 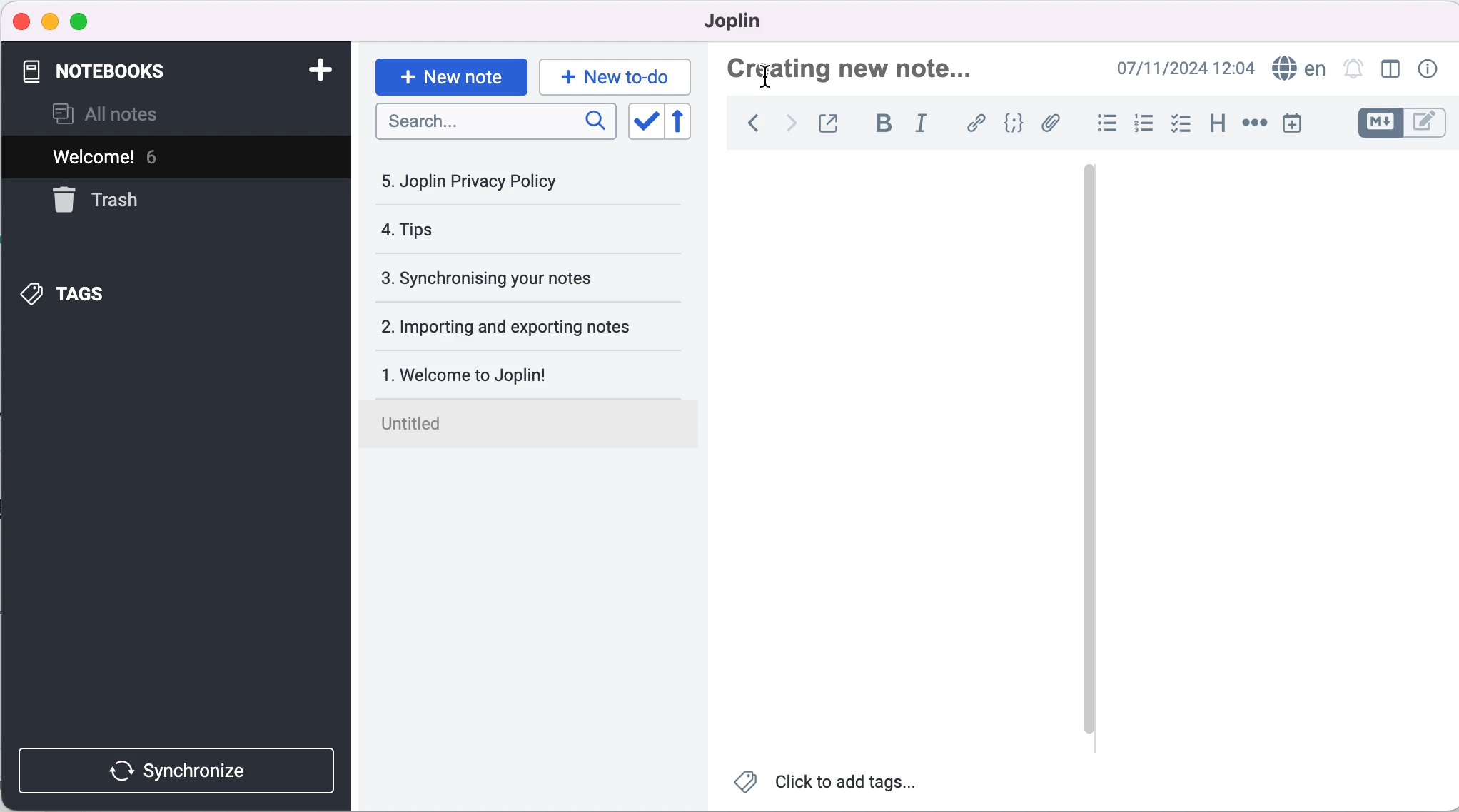 What do you see at coordinates (757, 23) in the screenshot?
I see `joplin` at bounding box center [757, 23].